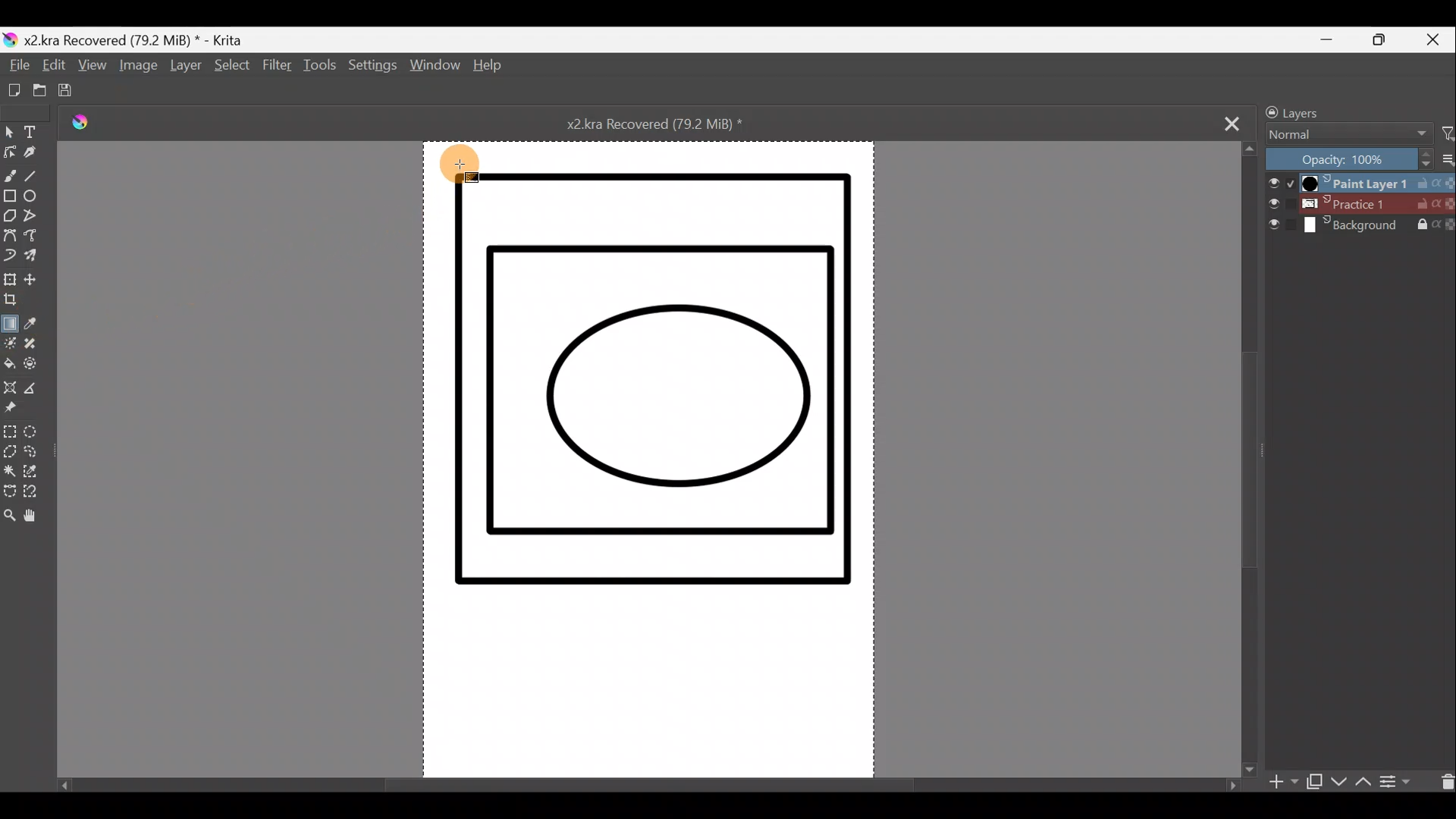 The height and width of the screenshot is (819, 1456). What do you see at coordinates (9, 198) in the screenshot?
I see `Rectangle tool` at bounding box center [9, 198].